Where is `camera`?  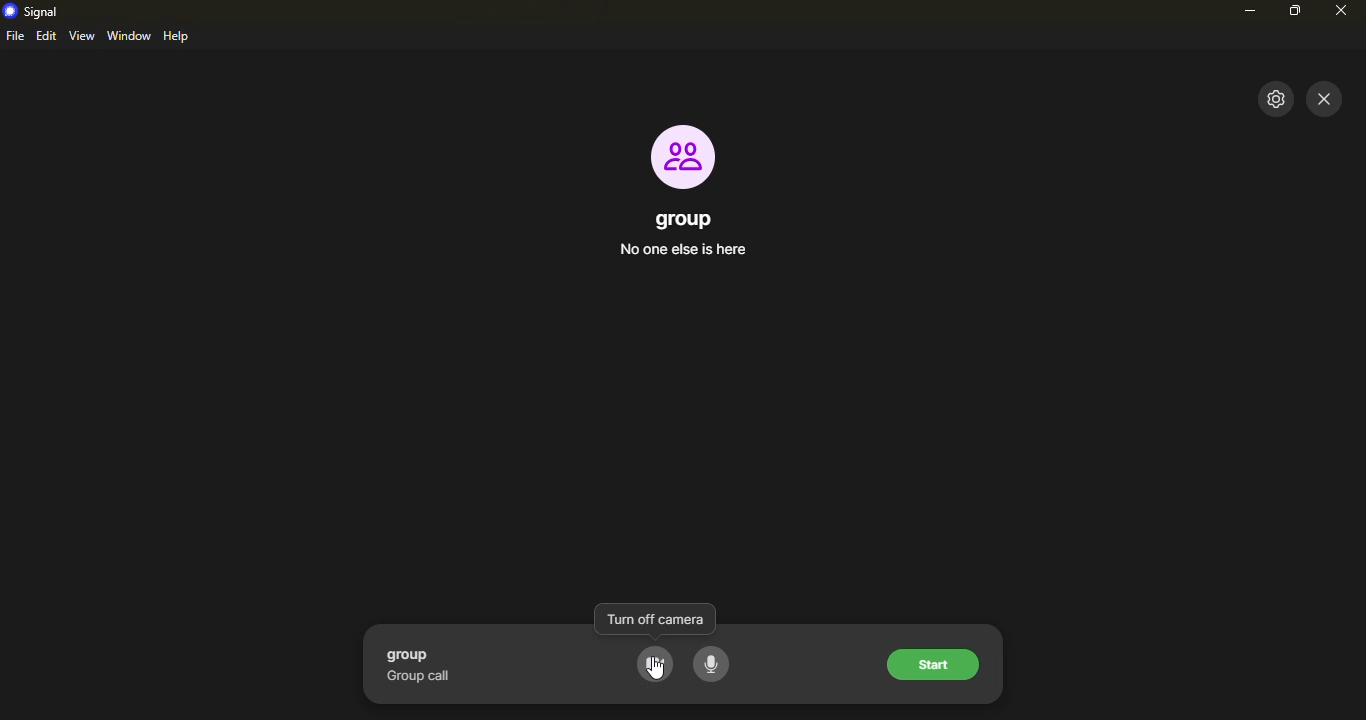
camera is located at coordinates (657, 665).